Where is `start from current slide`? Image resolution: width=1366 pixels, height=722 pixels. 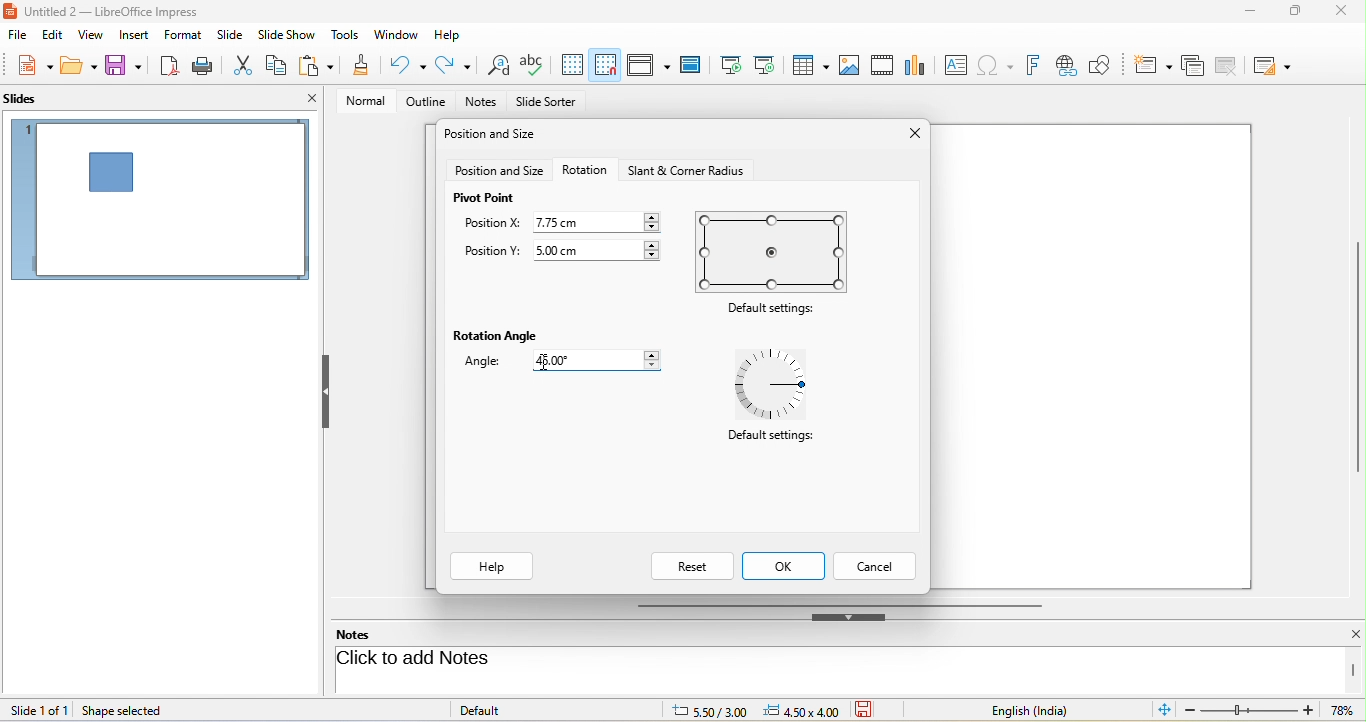
start from current slide is located at coordinates (770, 65).